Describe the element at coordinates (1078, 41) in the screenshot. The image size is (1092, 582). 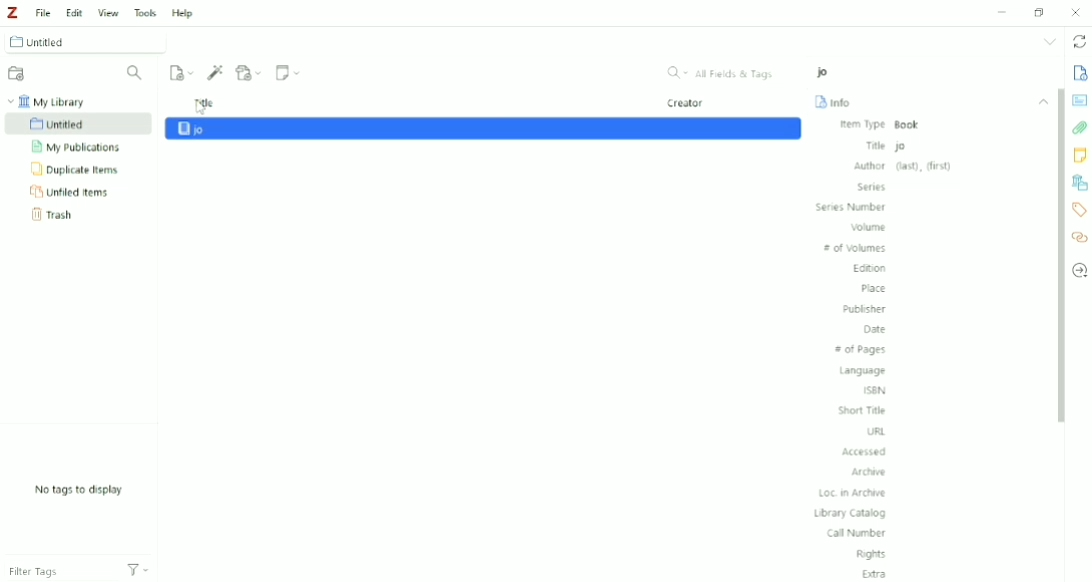
I see `Sync` at that location.